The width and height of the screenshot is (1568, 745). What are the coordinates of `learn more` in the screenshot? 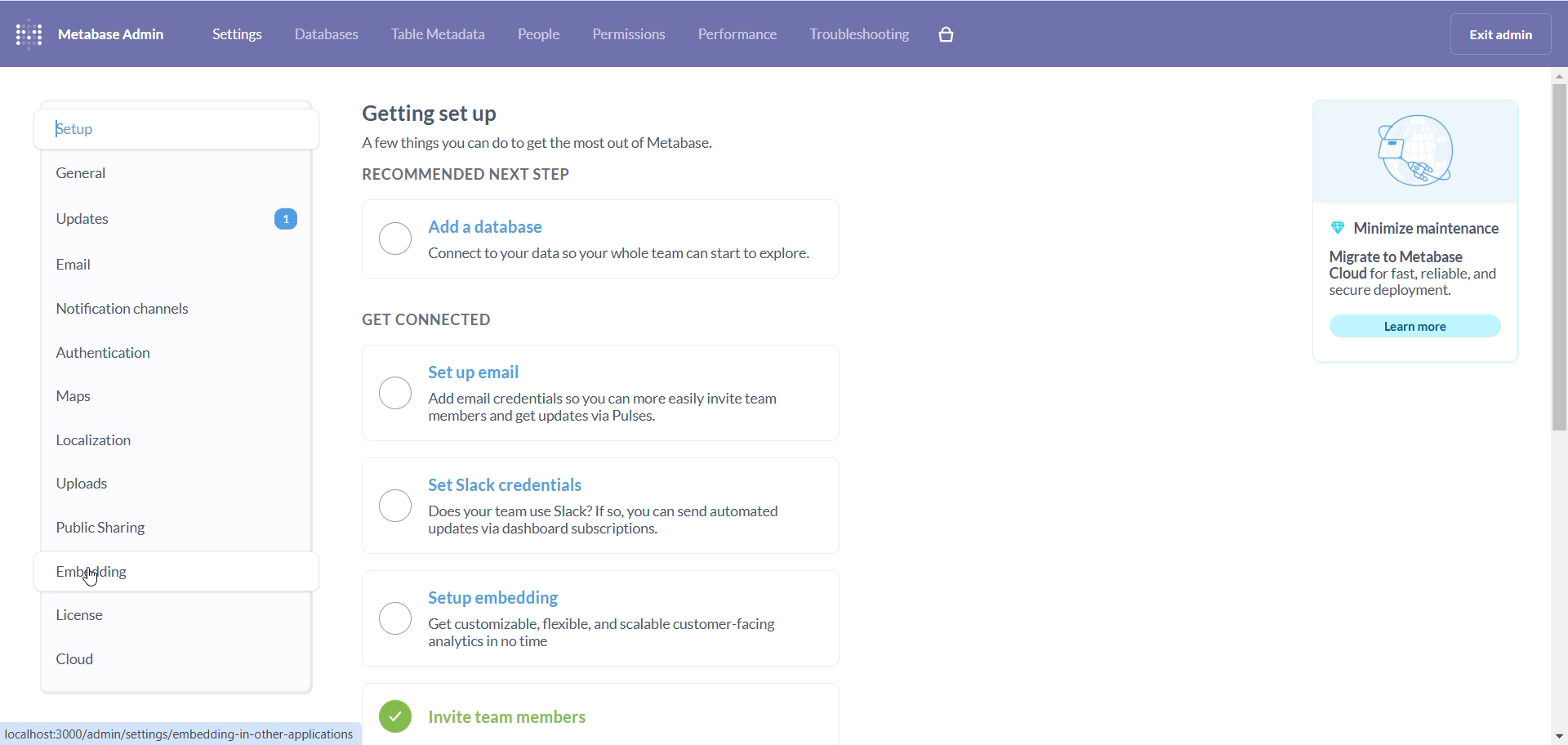 It's located at (1411, 328).